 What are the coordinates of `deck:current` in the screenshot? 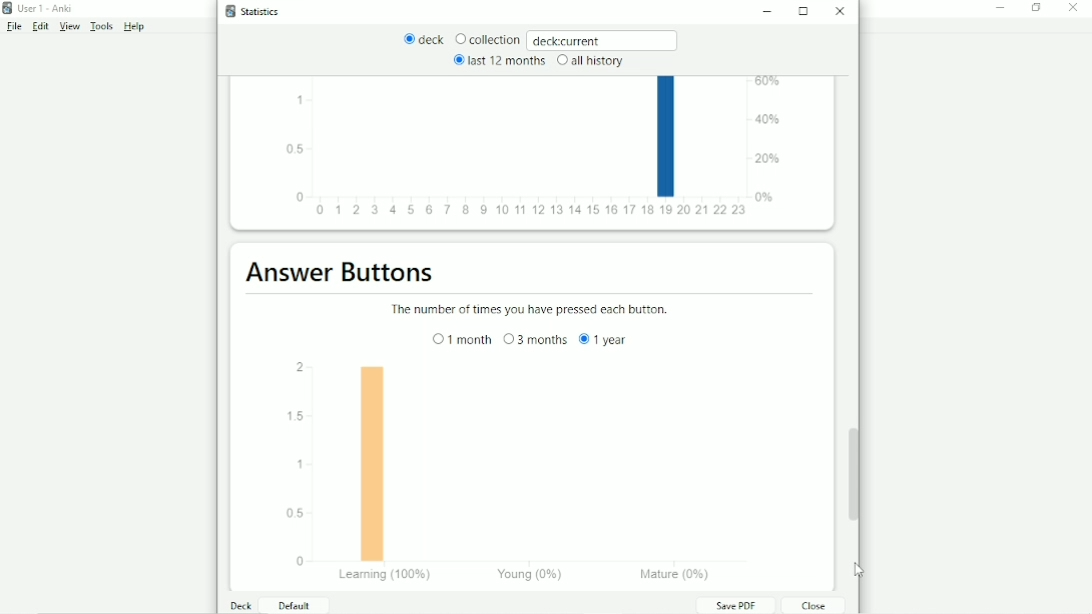 It's located at (604, 39).